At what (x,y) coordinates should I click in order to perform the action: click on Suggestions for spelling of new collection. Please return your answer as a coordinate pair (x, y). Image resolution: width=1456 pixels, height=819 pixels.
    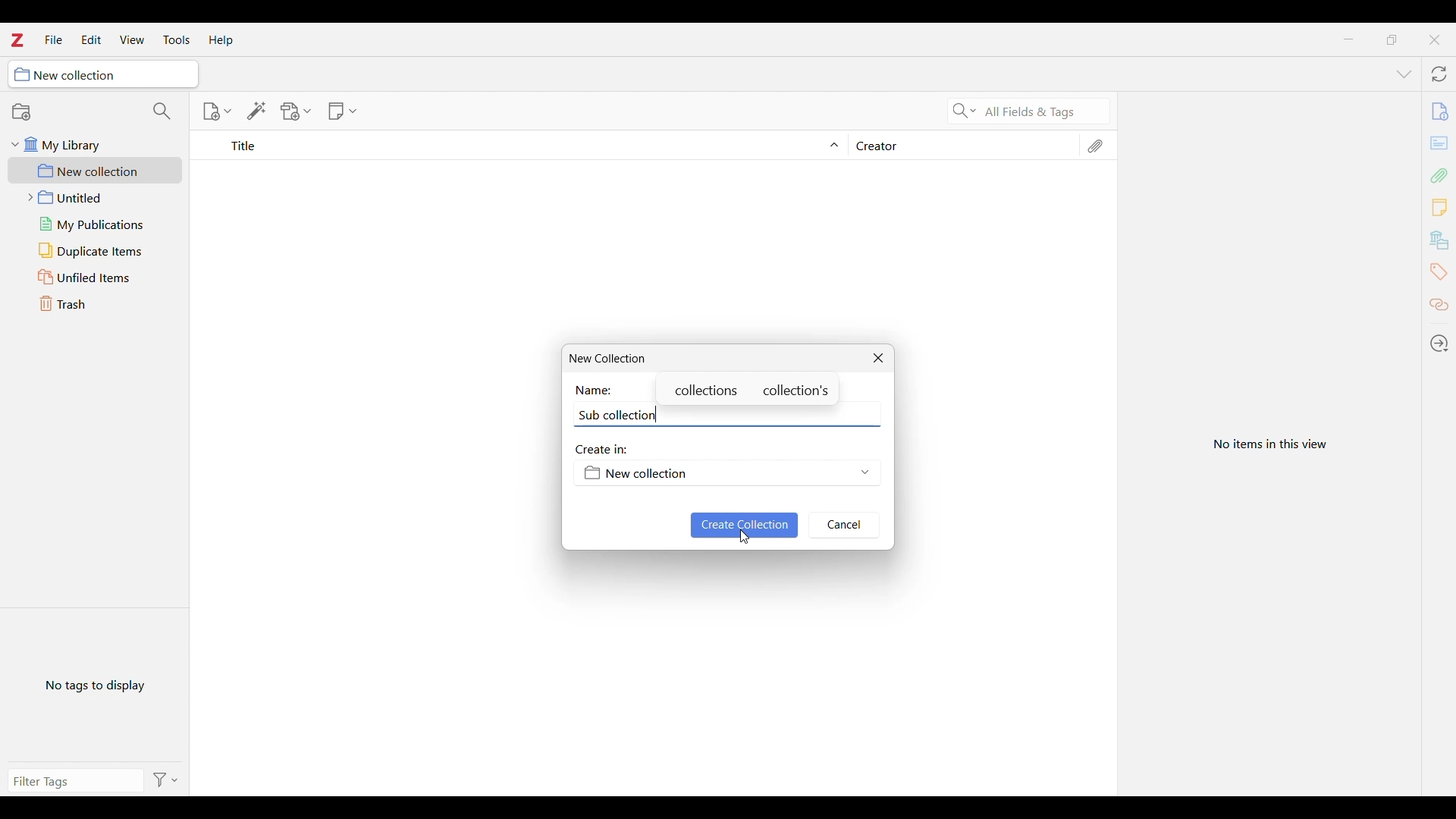
    Looking at the image, I should click on (751, 387).